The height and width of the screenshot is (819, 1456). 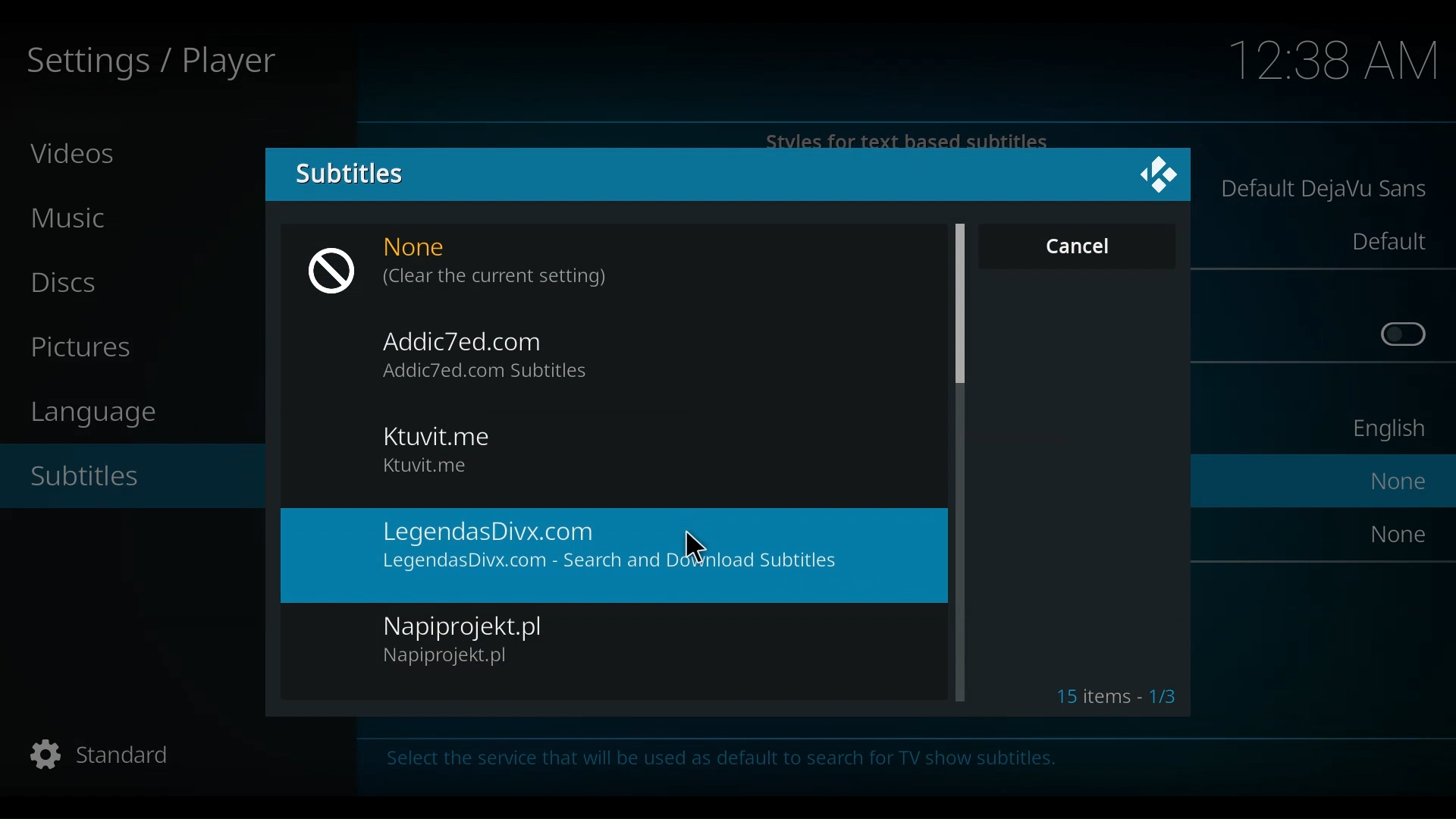 What do you see at coordinates (610, 563) in the screenshot?
I see `LengedasDivx.com Search and downoad subtitles` at bounding box center [610, 563].